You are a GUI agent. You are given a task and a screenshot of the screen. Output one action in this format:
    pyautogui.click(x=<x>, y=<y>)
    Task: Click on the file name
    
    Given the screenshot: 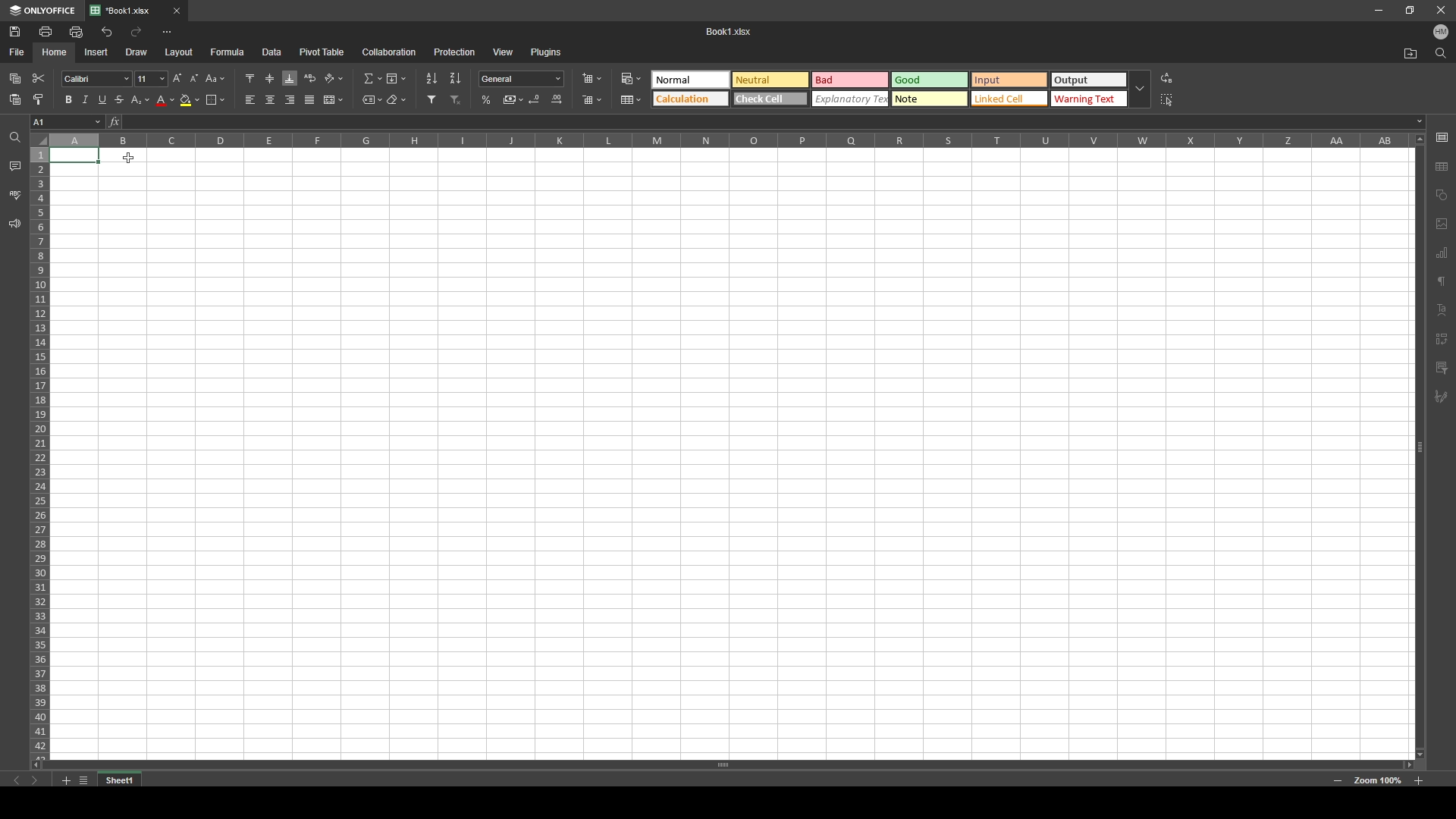 What is the action you would take?
    pyautogui.click(x=730, y=30)
    